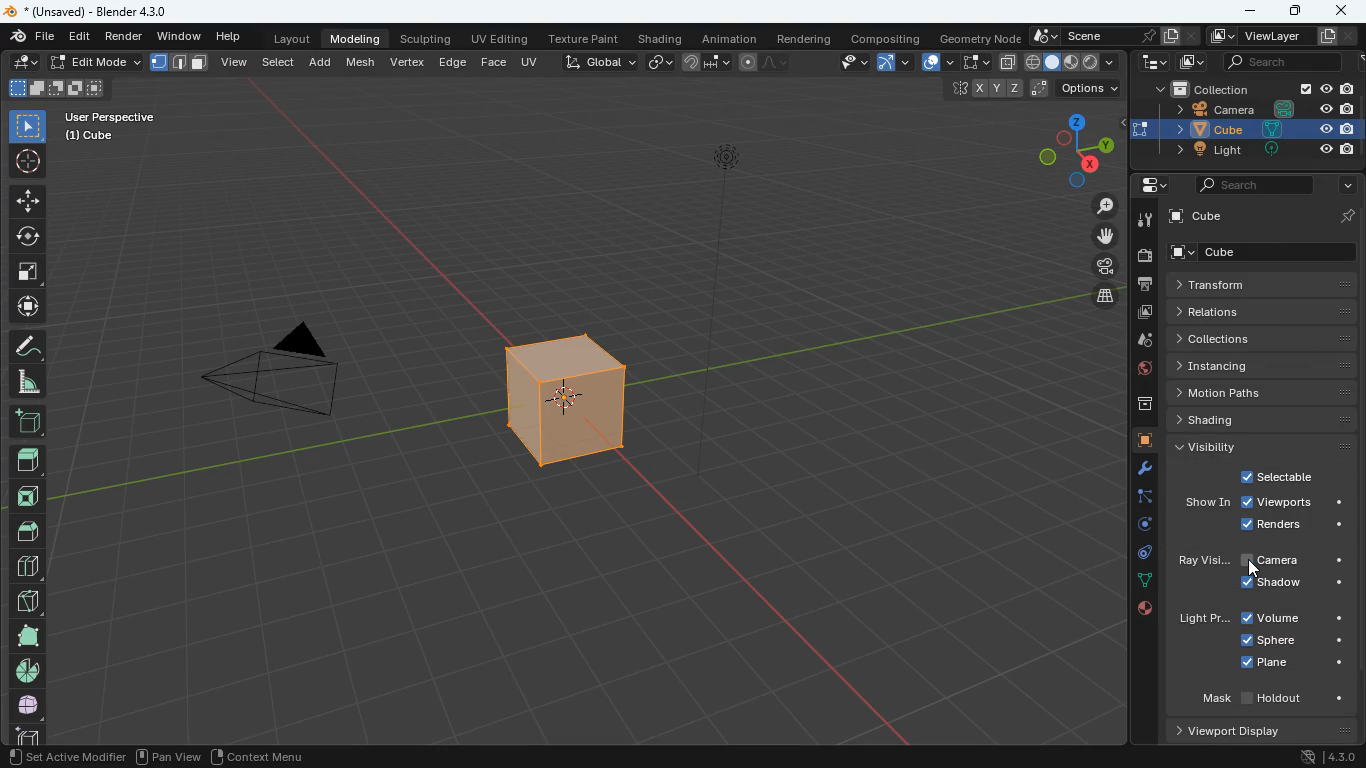  What do you see at coordinates (884, 38) in the screenshot?
I see `compositing` at bounding box center [884, 38].